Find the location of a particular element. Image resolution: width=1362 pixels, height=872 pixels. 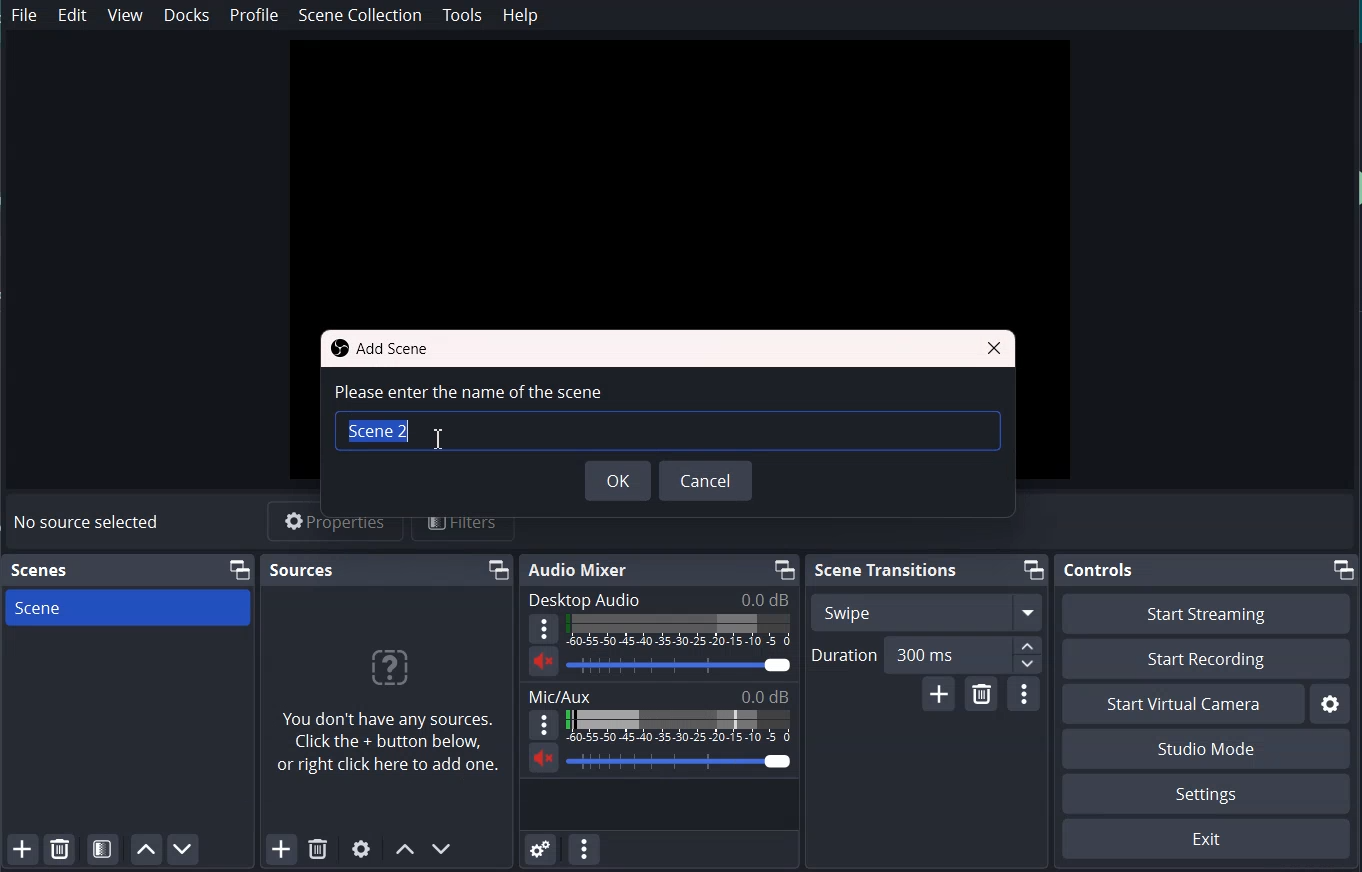

Settings is located at coordinates (1330, 703).